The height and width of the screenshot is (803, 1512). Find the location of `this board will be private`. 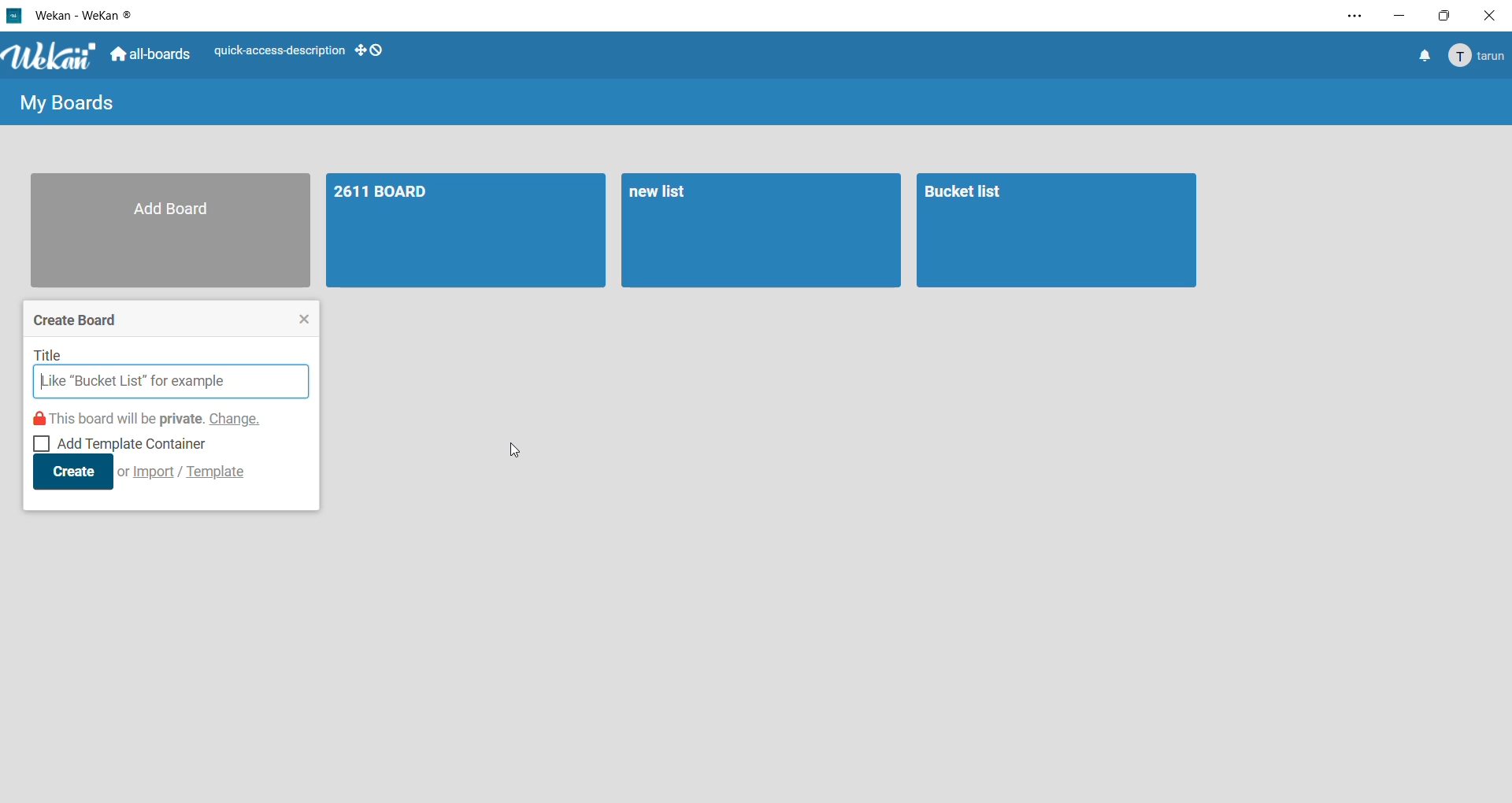

this board will be private is located at coordinates (142, 419).